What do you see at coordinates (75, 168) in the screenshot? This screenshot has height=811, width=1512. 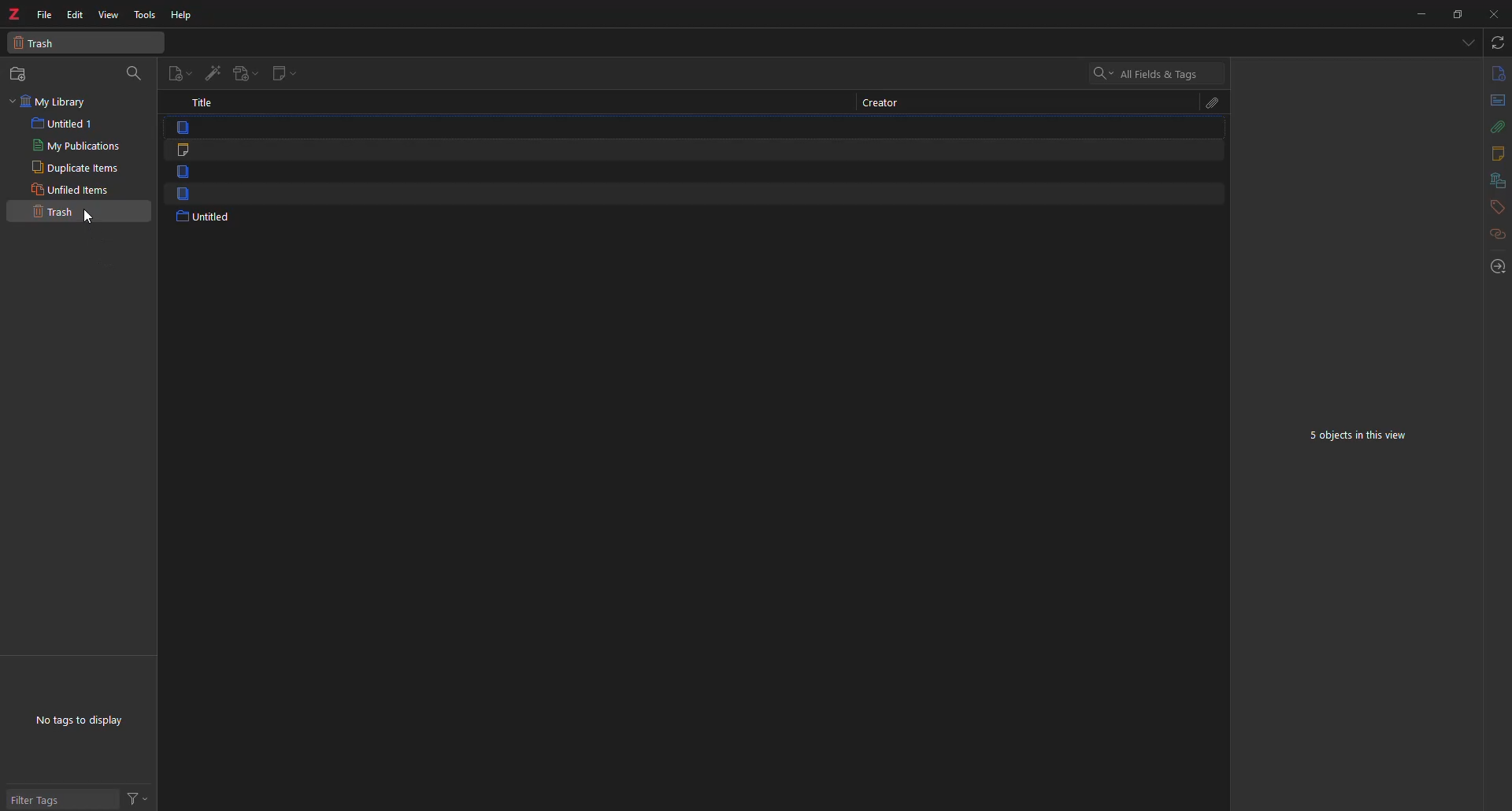 I see `duplicate items` at bounding box center [75, 168].